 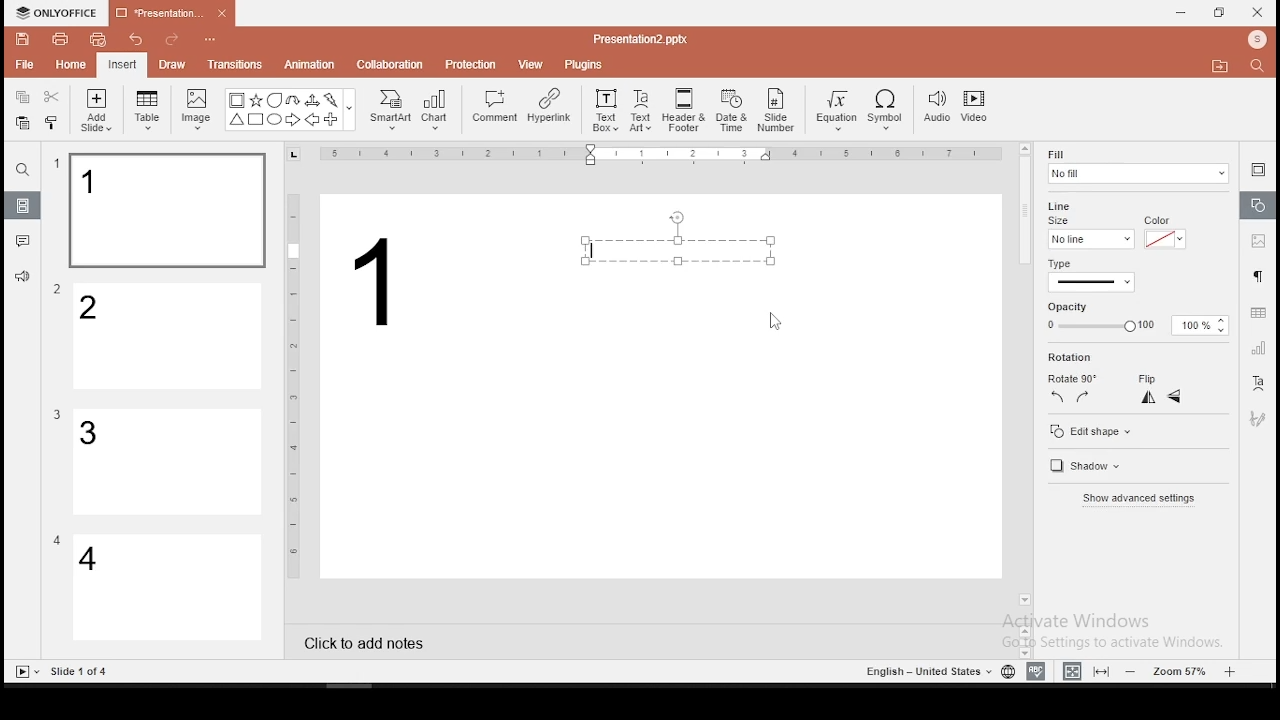 What do you see at coordinates (1089, 431) in the screenshot?
I see `edit shape` at bounding box center [1089, 431].